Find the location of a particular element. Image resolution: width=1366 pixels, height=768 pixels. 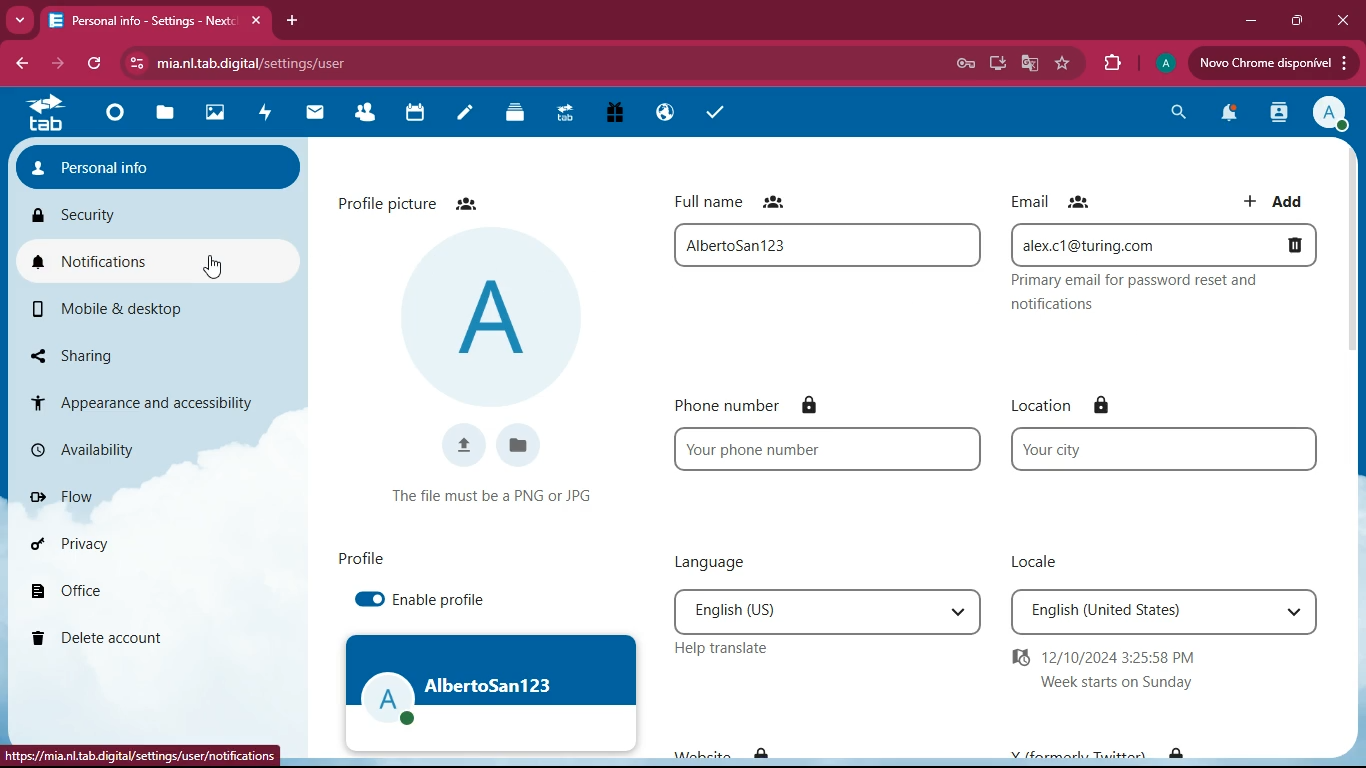

phone number is located at coordinates (751, 404).